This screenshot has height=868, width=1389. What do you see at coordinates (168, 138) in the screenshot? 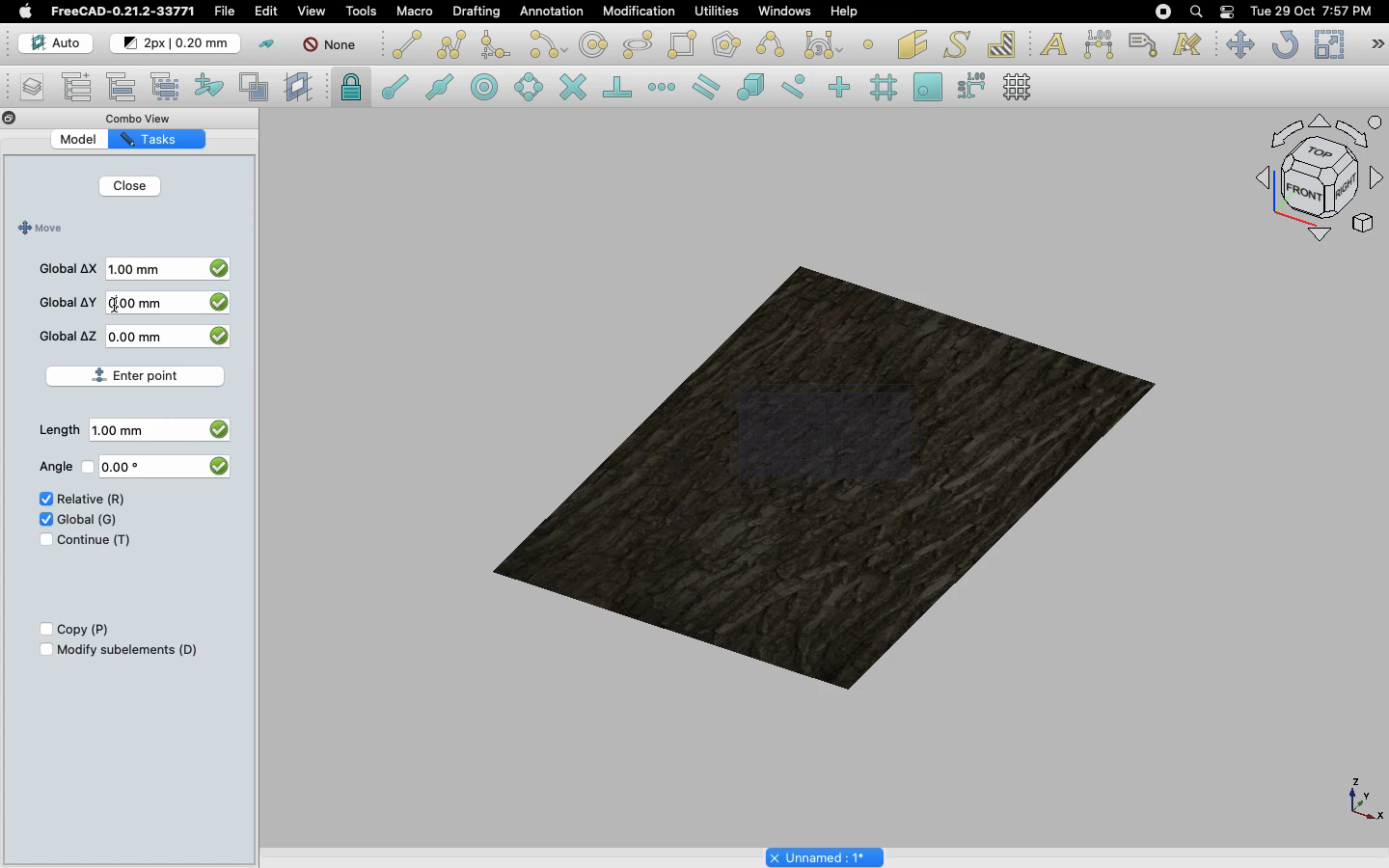
I see `Tasks` at bounding box center [168, 138].